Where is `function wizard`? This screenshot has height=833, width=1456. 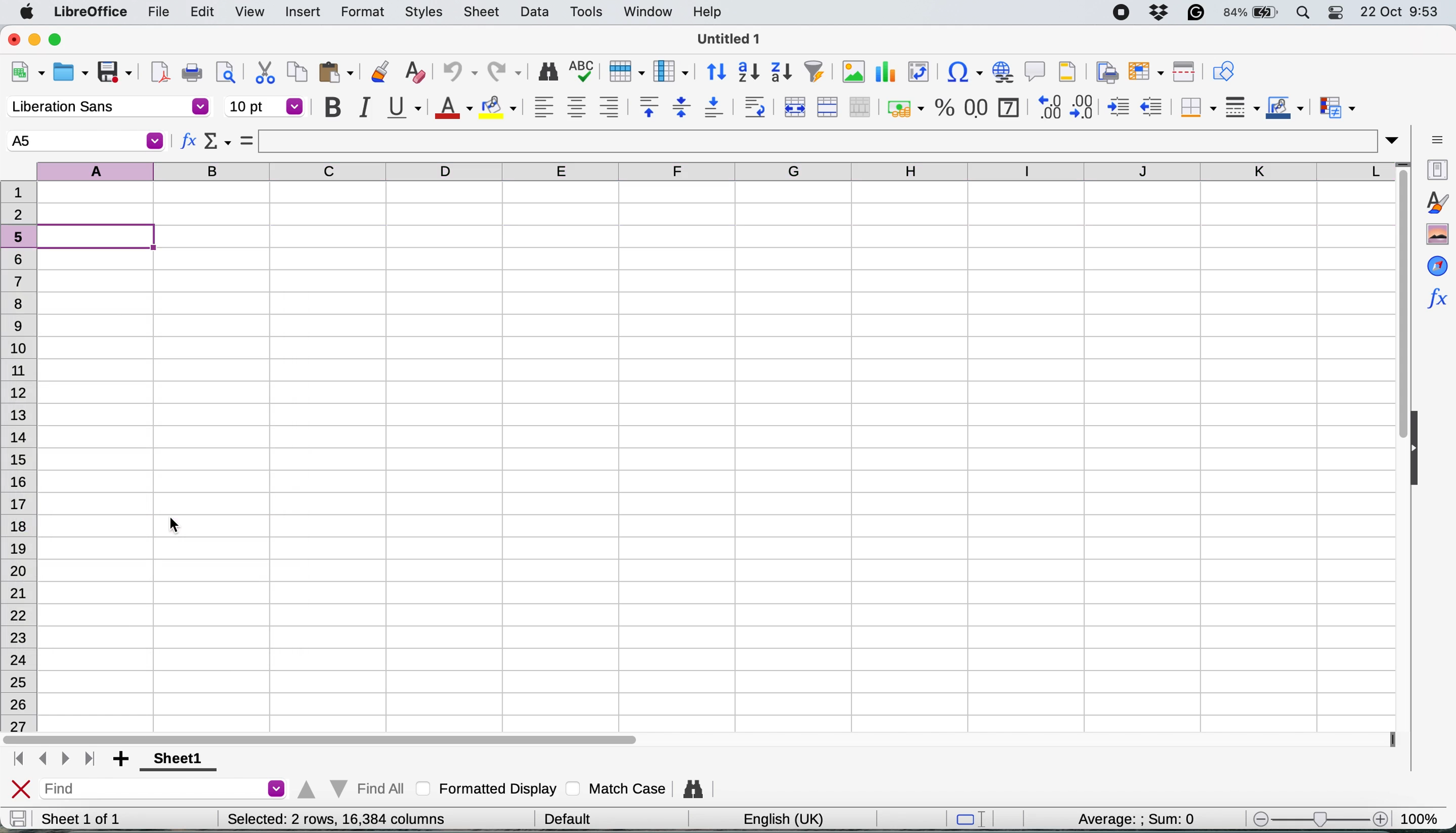 function wizard is located at coordinates (1436, 296).